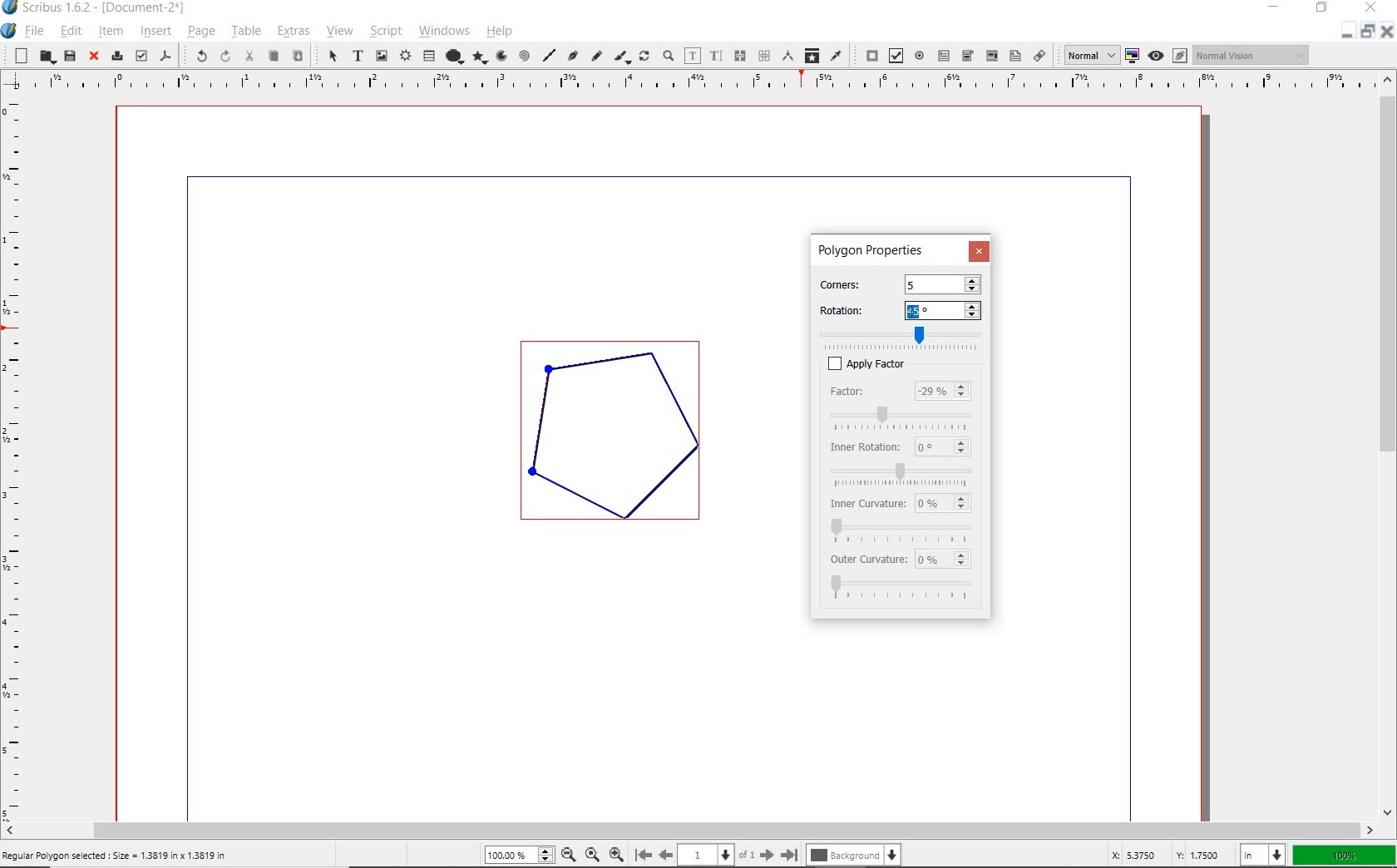 The image size is (1397, 868). I want to click on script, so click(384, 32).